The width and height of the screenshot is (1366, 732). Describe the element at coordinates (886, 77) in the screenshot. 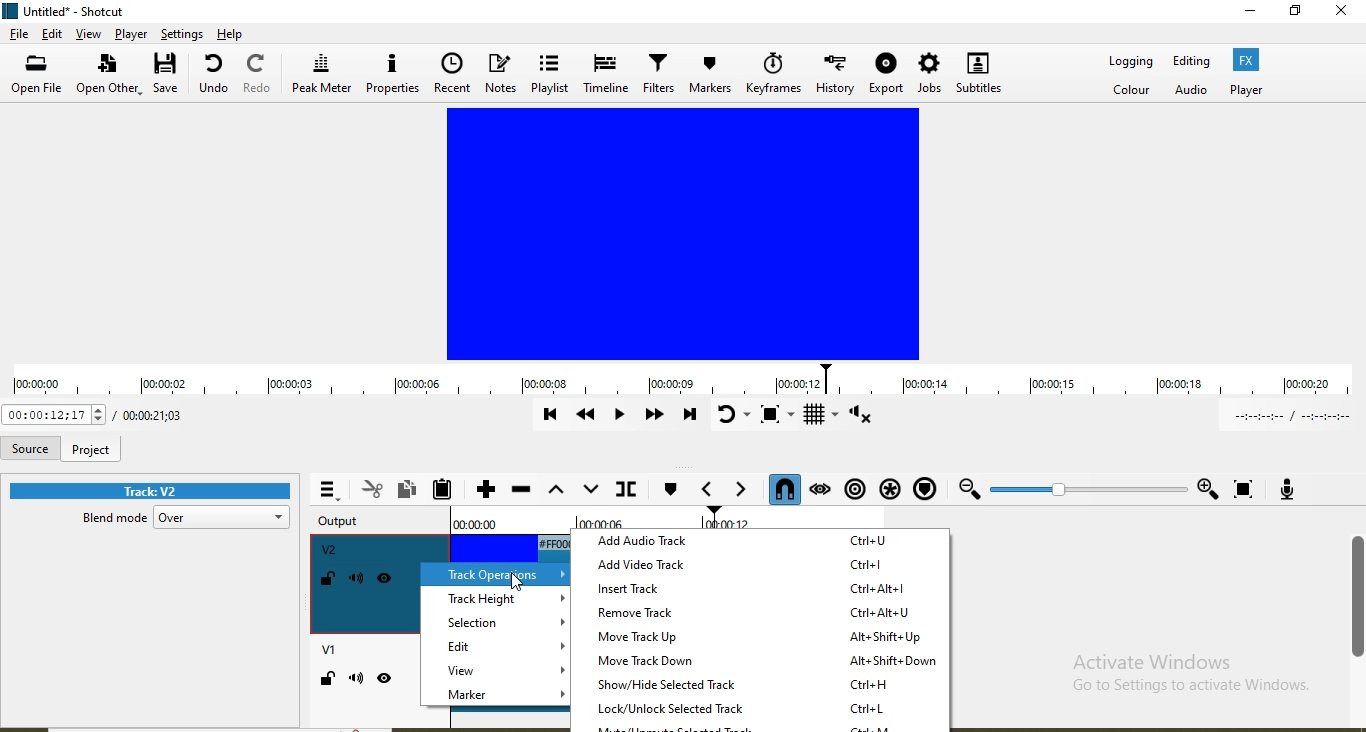

I see `Export` at that location.